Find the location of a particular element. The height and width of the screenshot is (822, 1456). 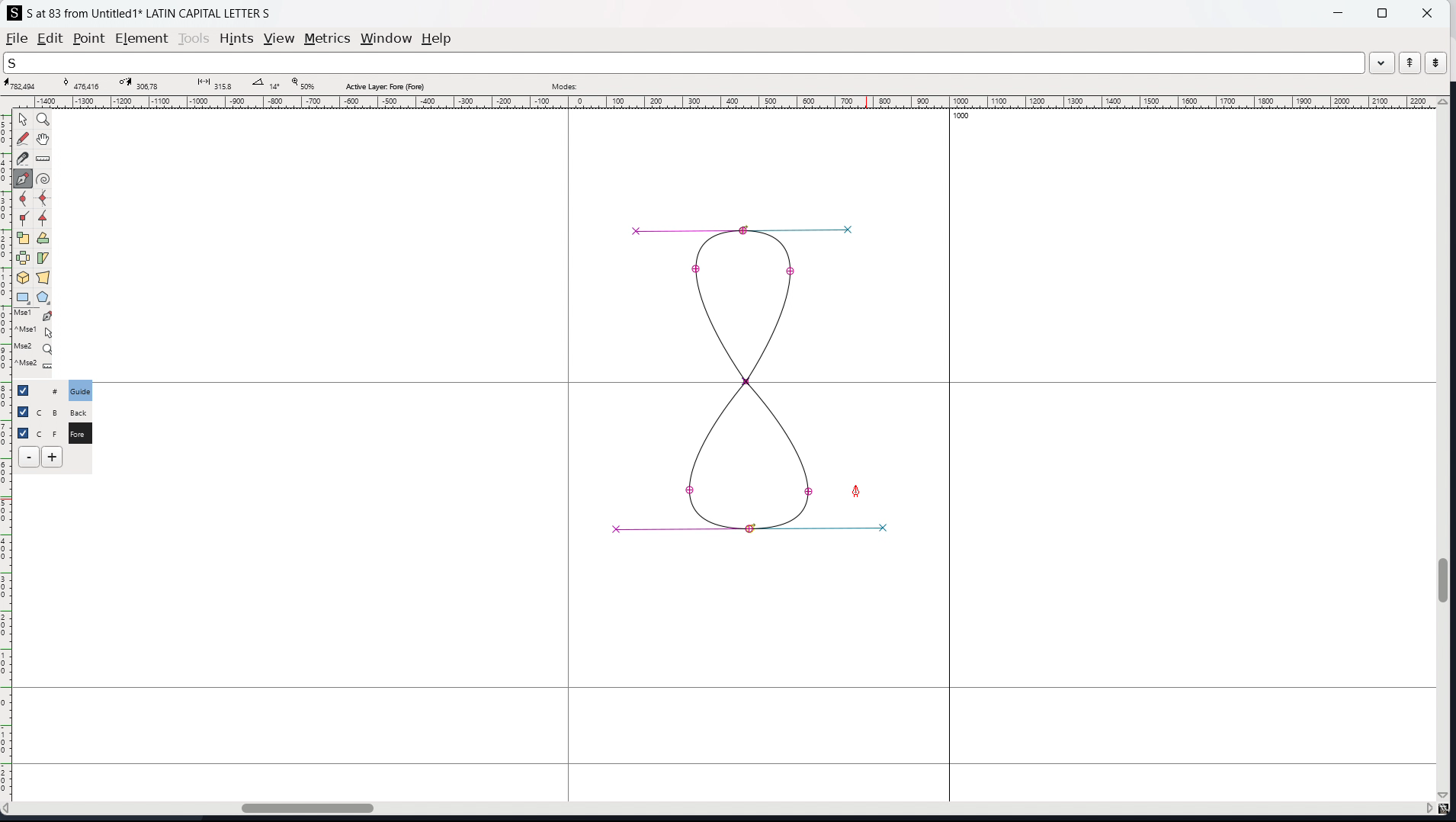

cursor destination coordinate is located at coordinates (144, 84).